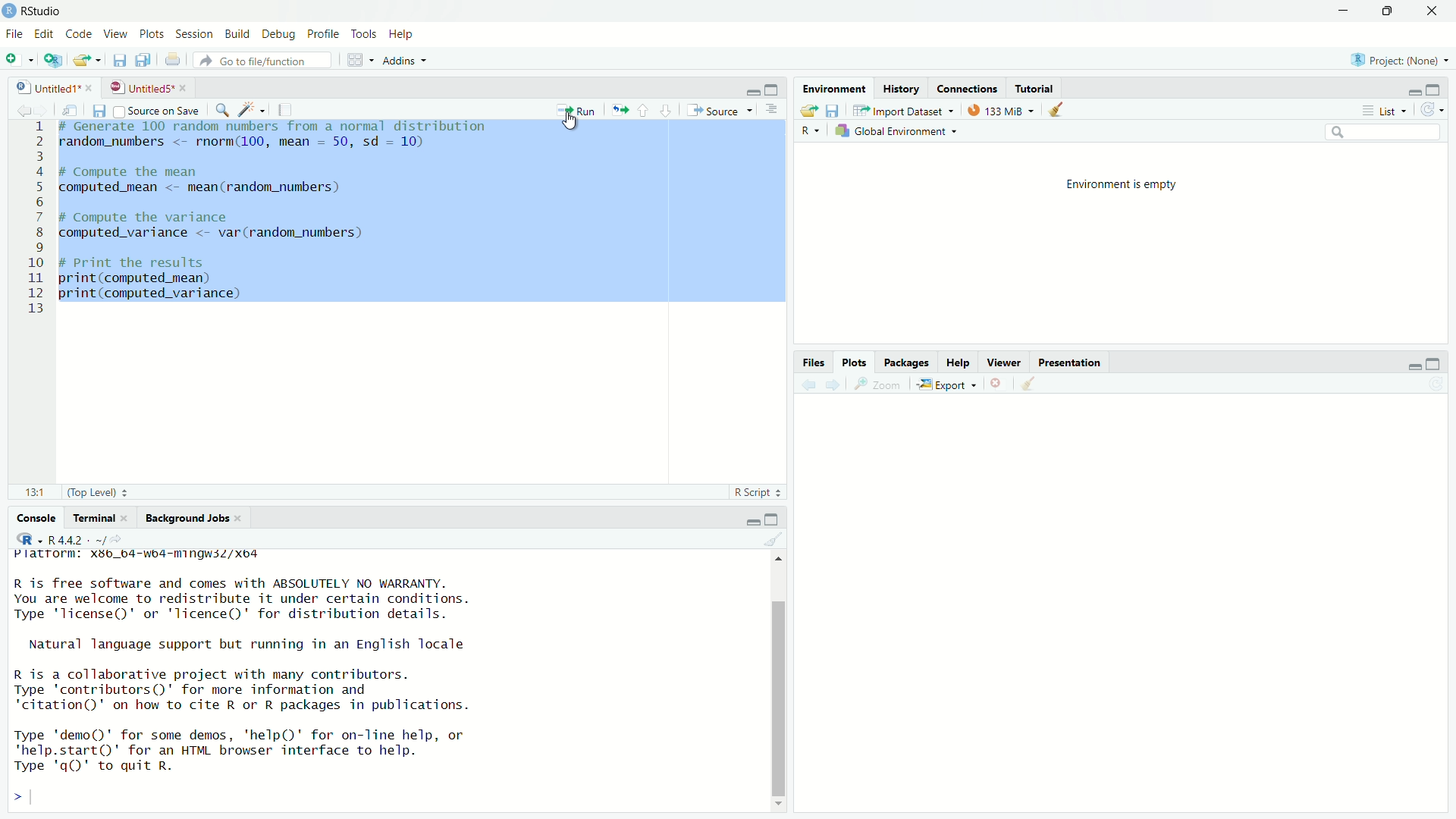  Describe the element at coordinates (776, 688) in the screenshot. I see `scrollbar` at that location.